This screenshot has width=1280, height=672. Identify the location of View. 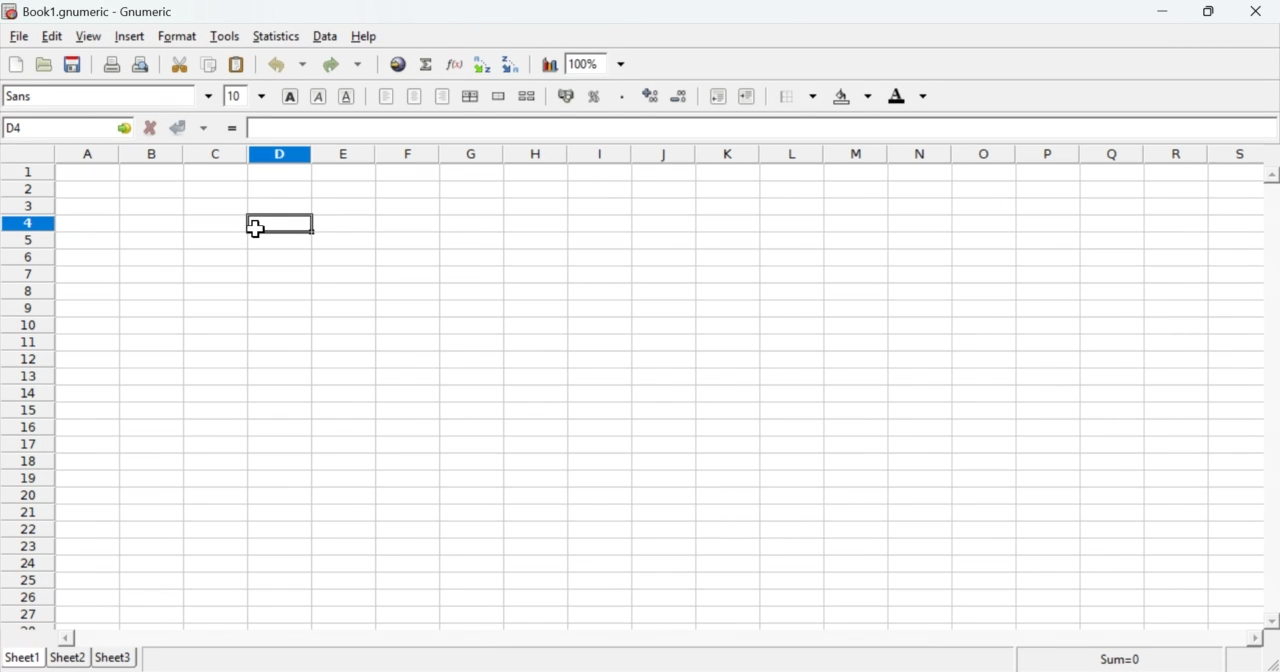
(87, 37).